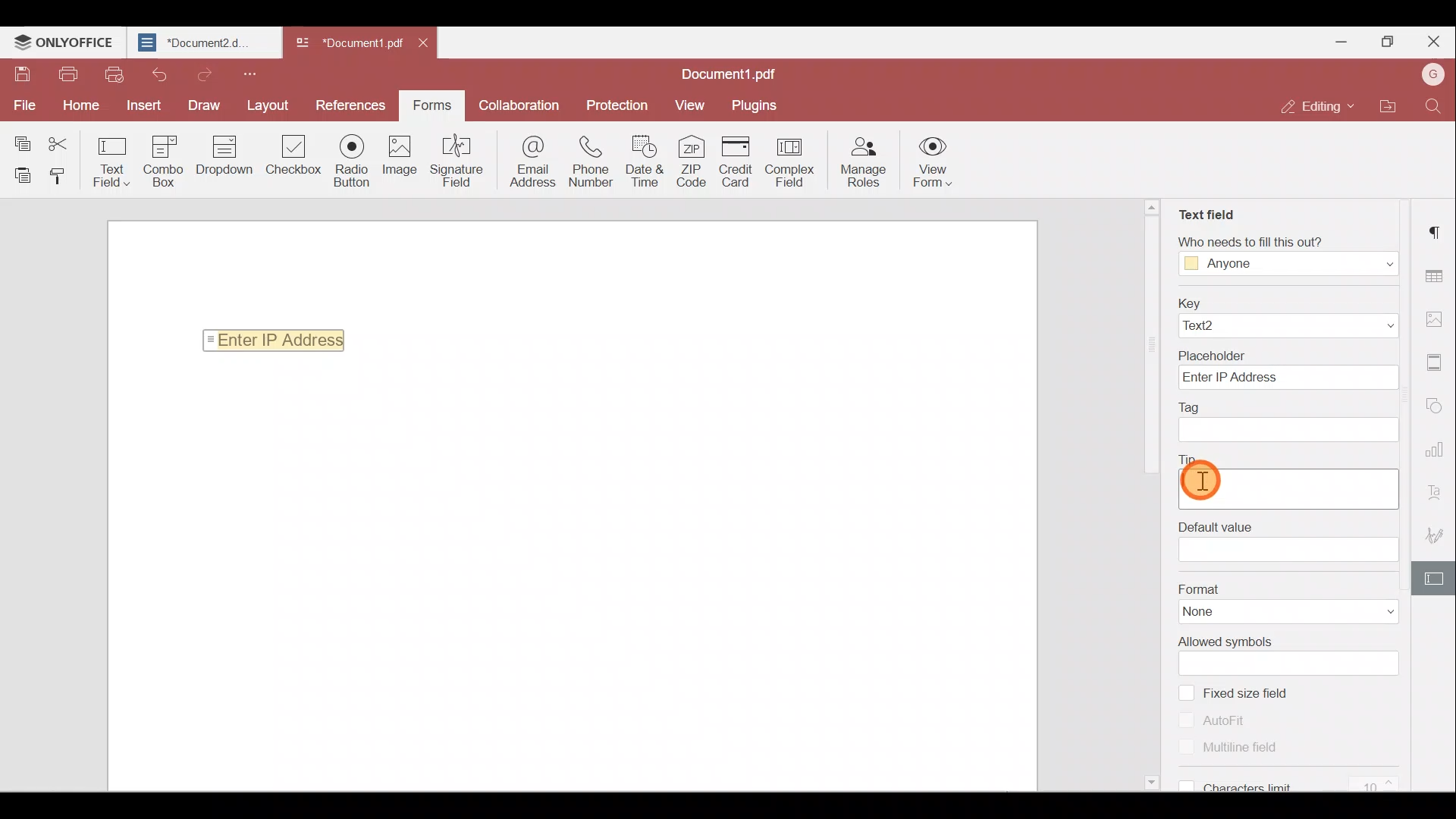 Image resolution: width=1456 pixels, height=819 pixels. Describe the element at coordinates (645, 165) in the screenshot. I see `Date & time` at that location.